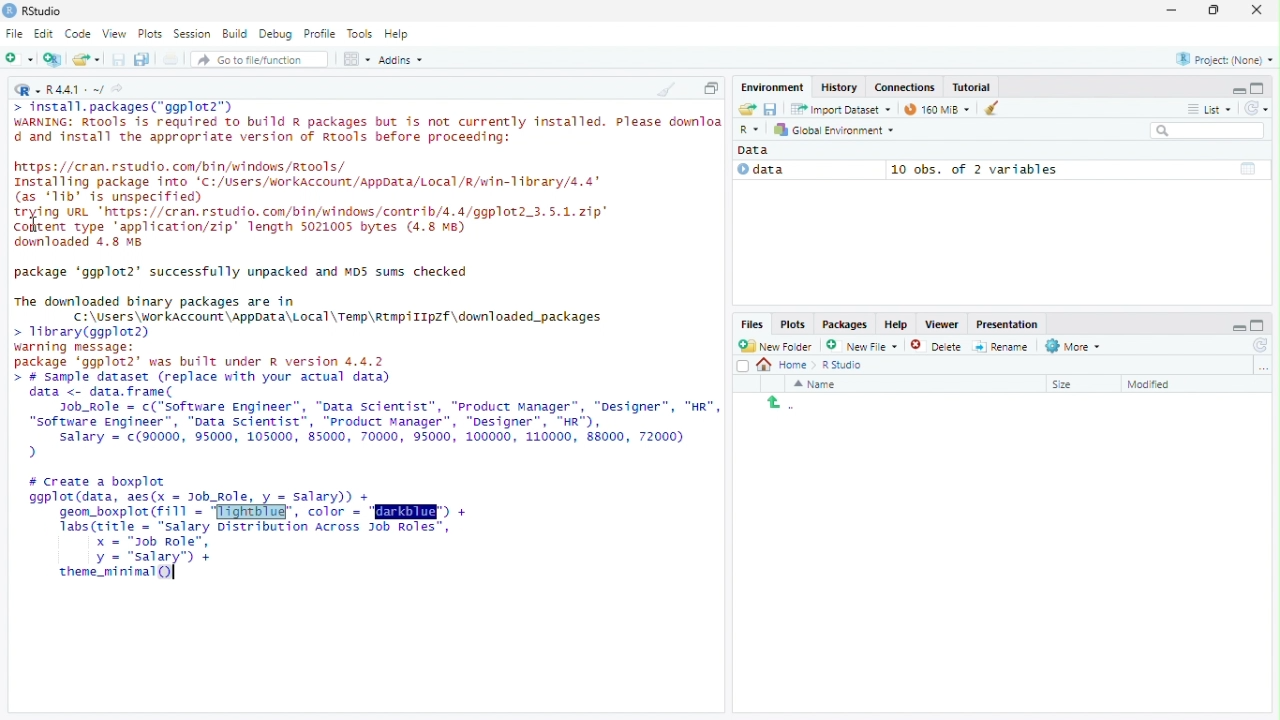 This screenshot has height=720, width=1280. What do you see at coordinates (75, 88) in the screenshot?
I see `R language version - R 4.4.1` at bounding box center [75, 88].